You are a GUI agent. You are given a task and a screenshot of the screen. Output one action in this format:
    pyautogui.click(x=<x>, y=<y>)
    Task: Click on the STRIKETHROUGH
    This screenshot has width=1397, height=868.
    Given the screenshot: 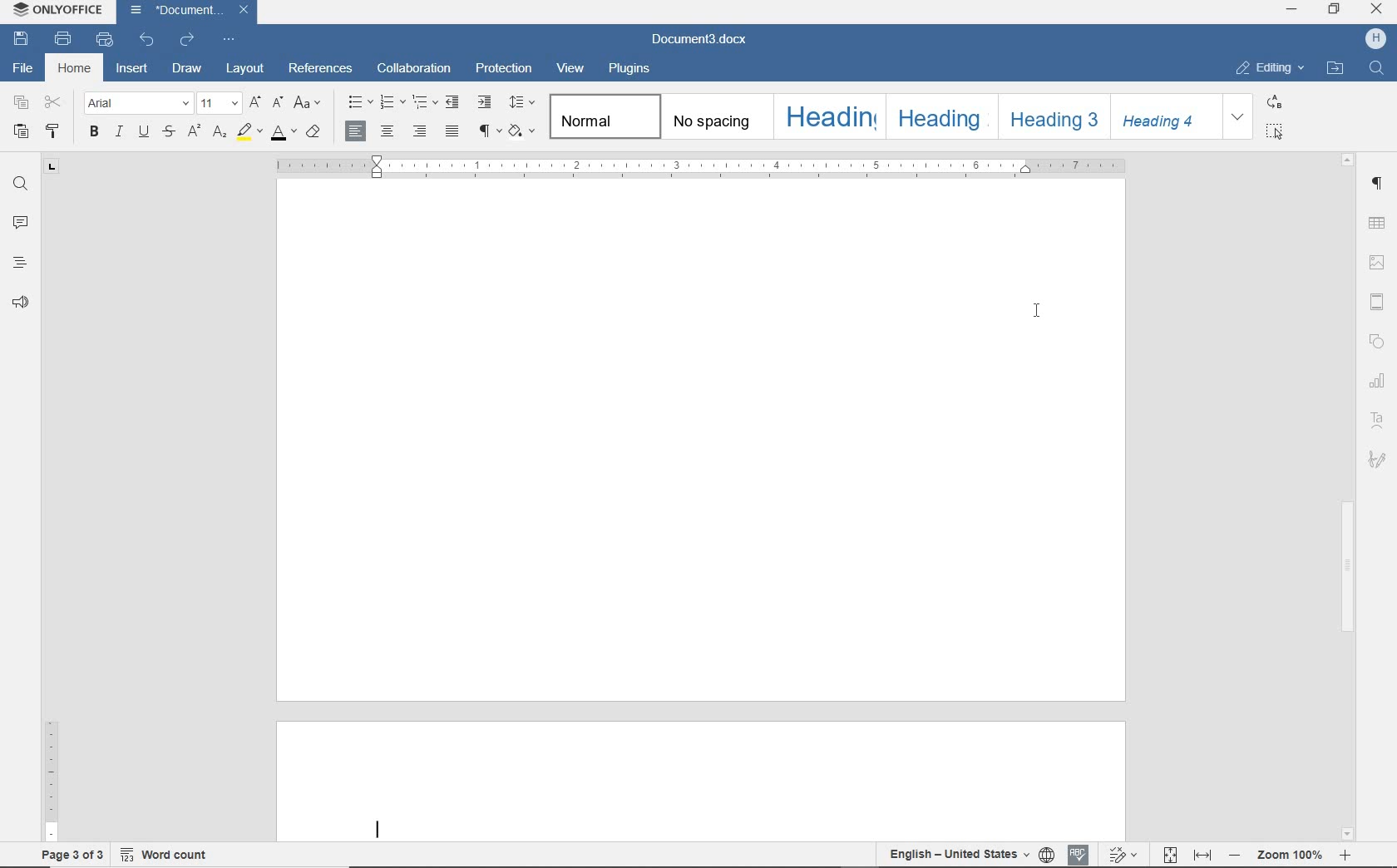 What is the action you would take?
    pyautogui.click(x=169, y=133)
    